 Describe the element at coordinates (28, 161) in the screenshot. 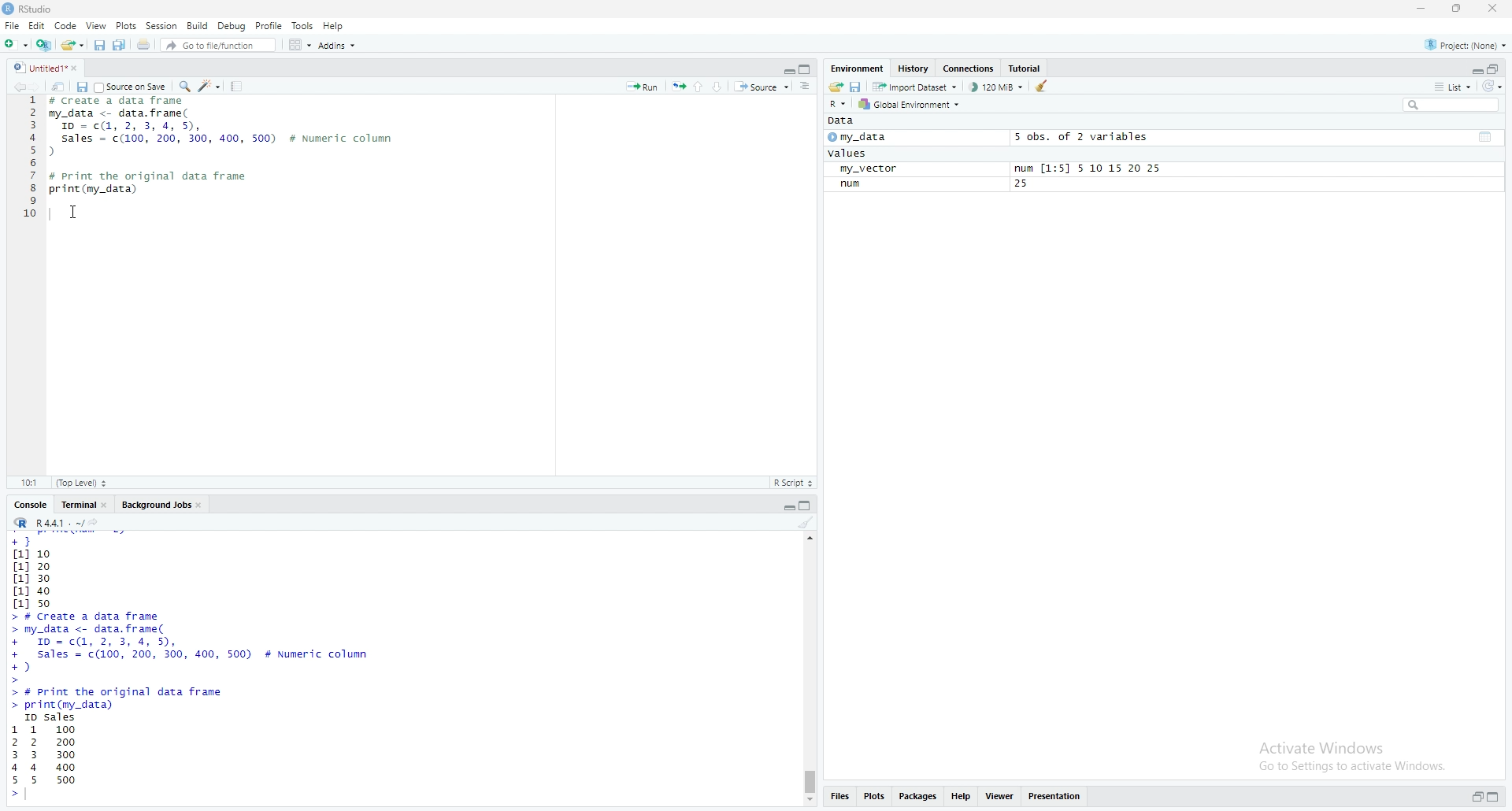

I see `serial number` at that location.